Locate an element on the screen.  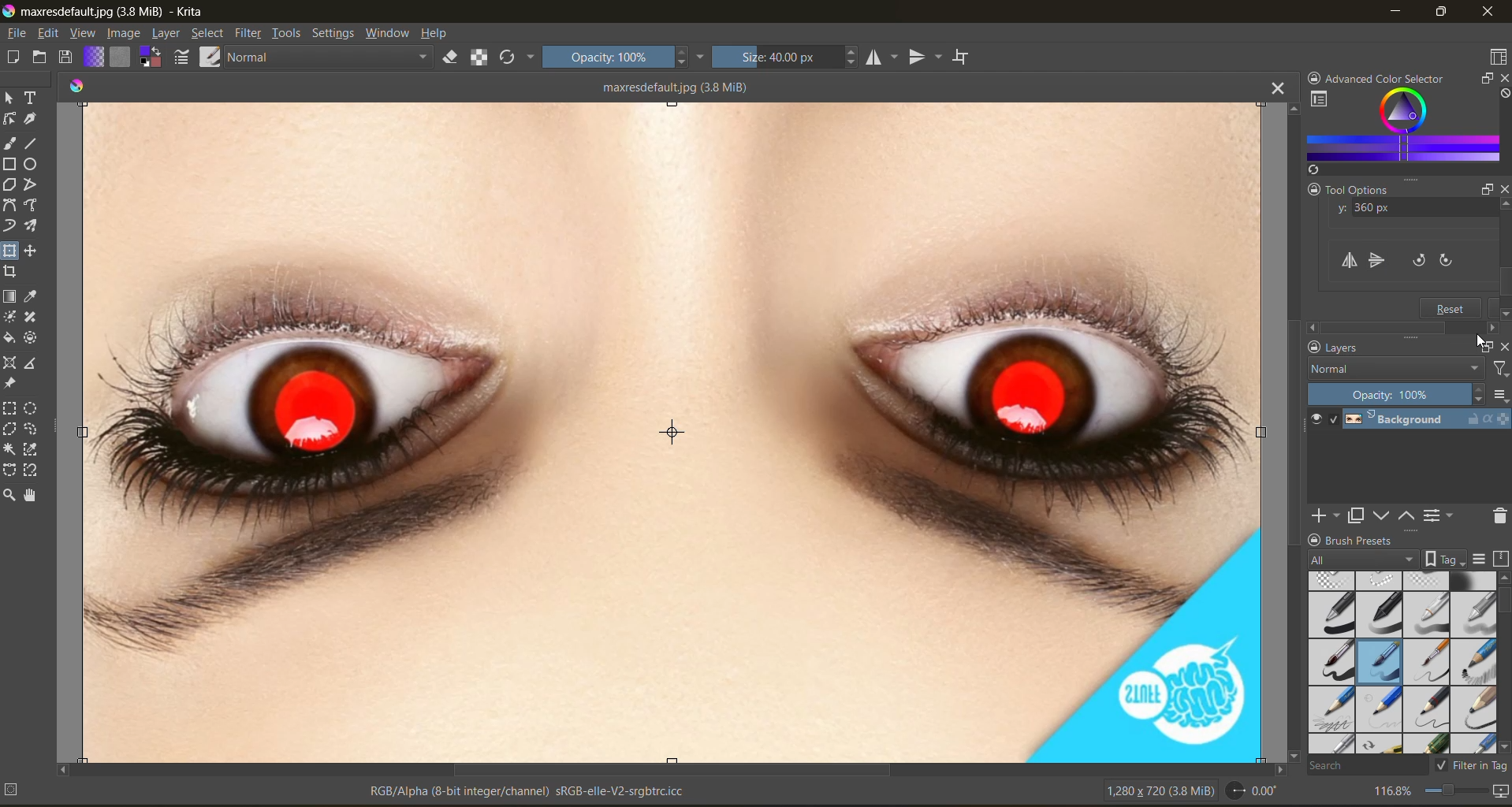
tool is located at coordinates (12, 338).